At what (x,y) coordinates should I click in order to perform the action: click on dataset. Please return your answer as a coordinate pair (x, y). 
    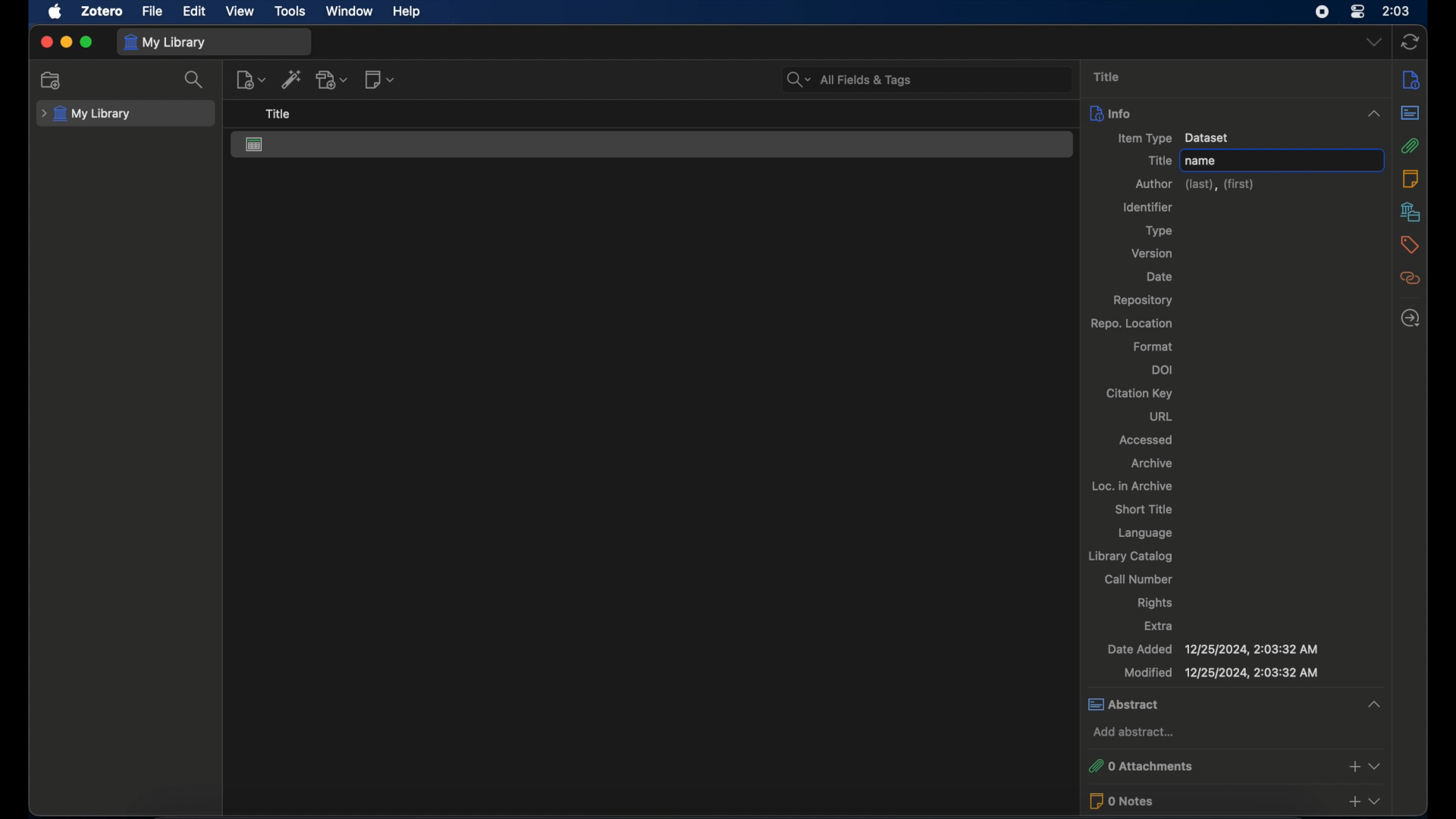
    Looking at the image, I should click on (256, 145).